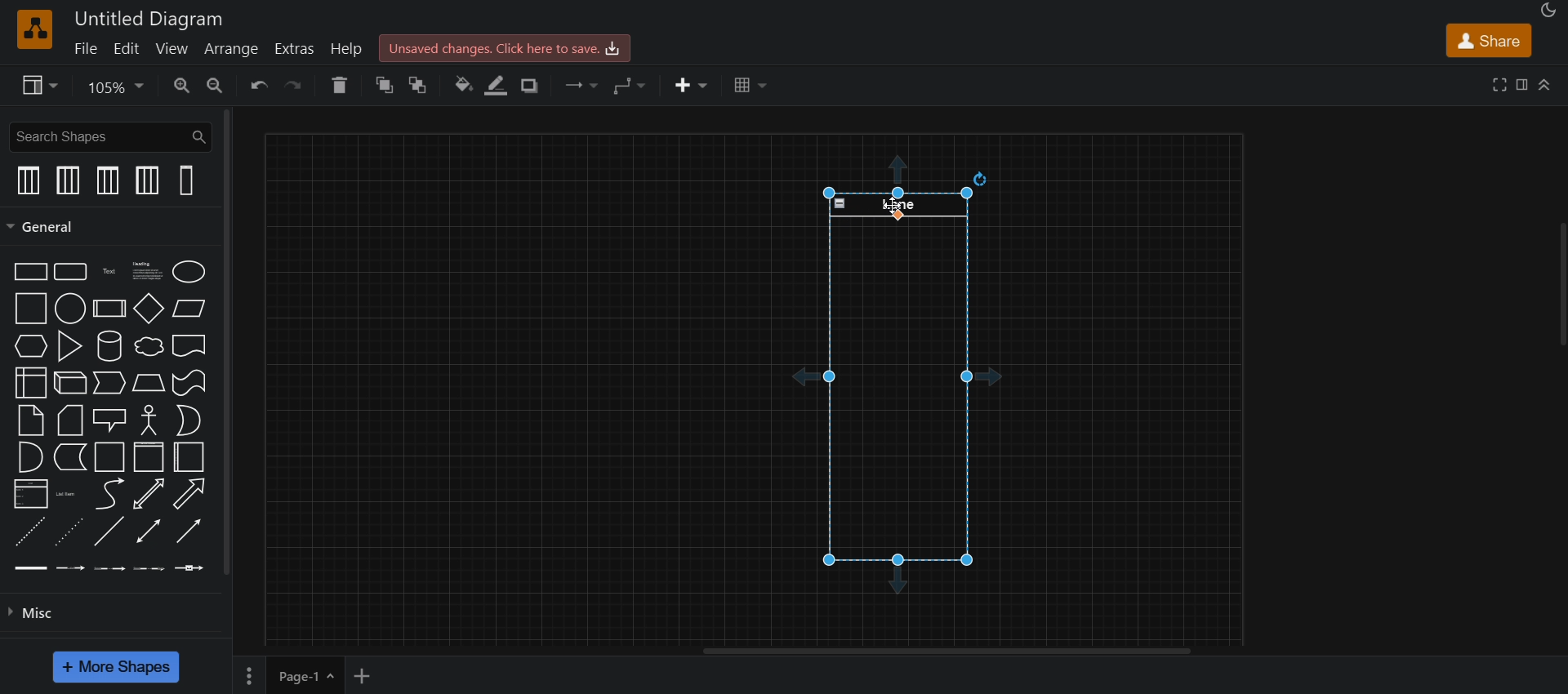 The image size is (1568, 694). I want to click on file, so click(88, 48).